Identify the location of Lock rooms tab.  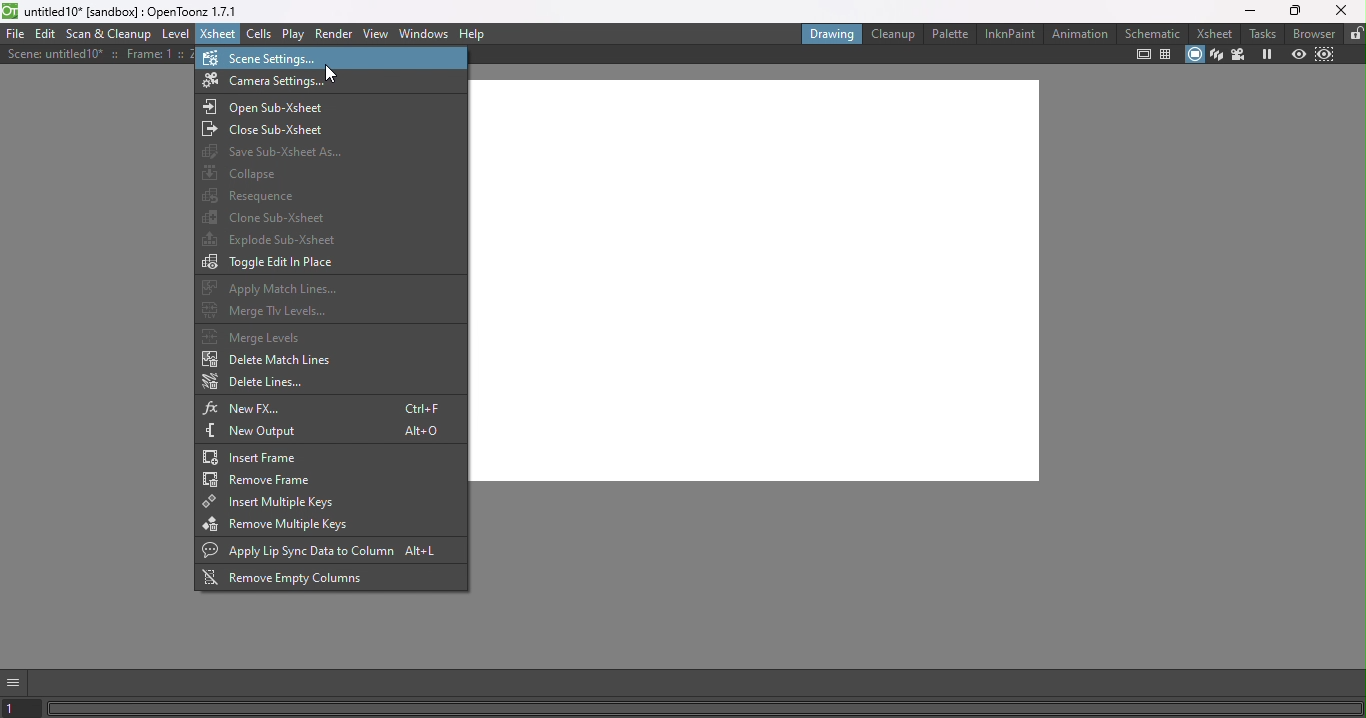
(1354, 34).